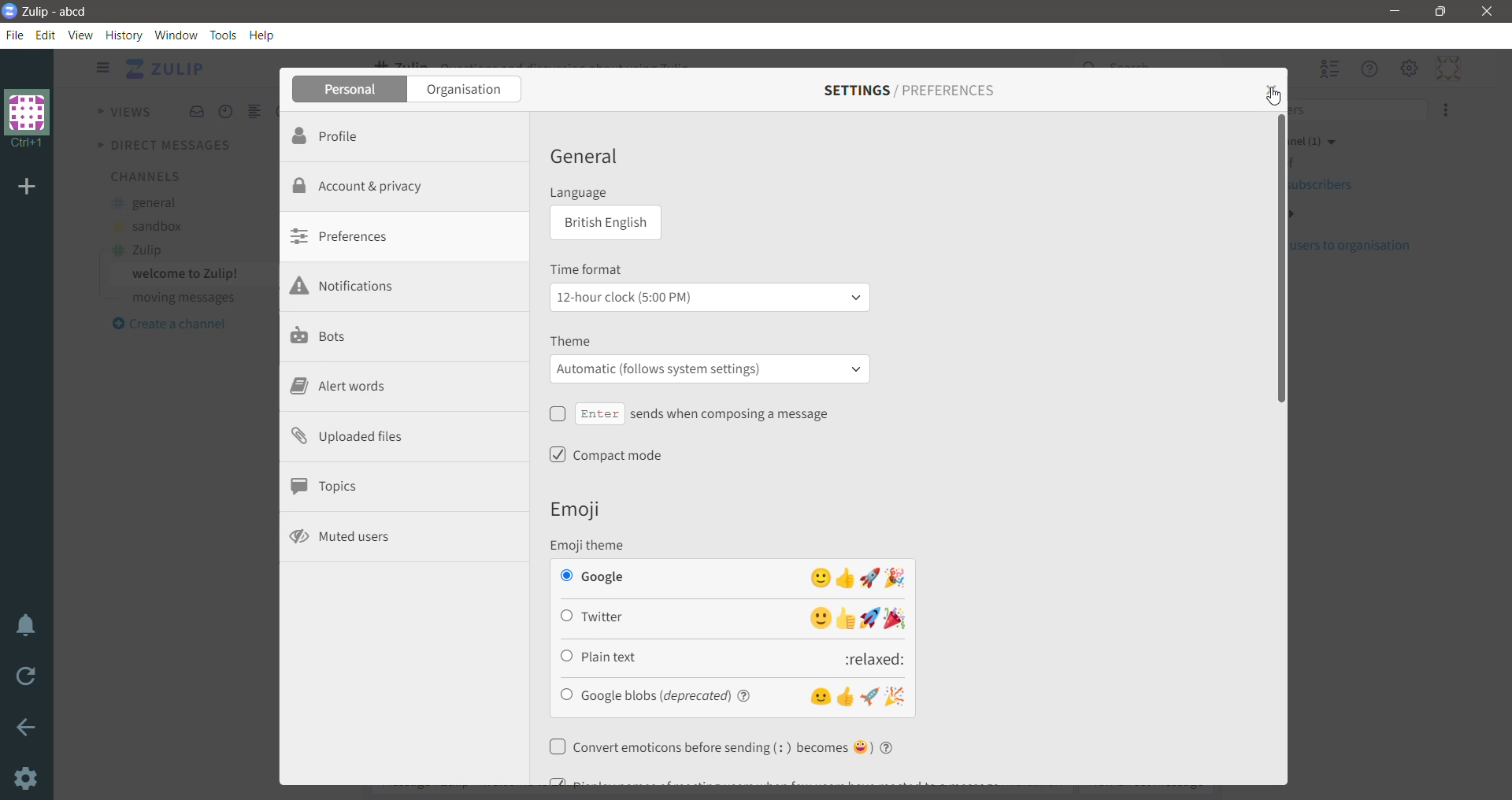 This screenshot has width=1512, height=800. I want to click on History, so click(124, 35).